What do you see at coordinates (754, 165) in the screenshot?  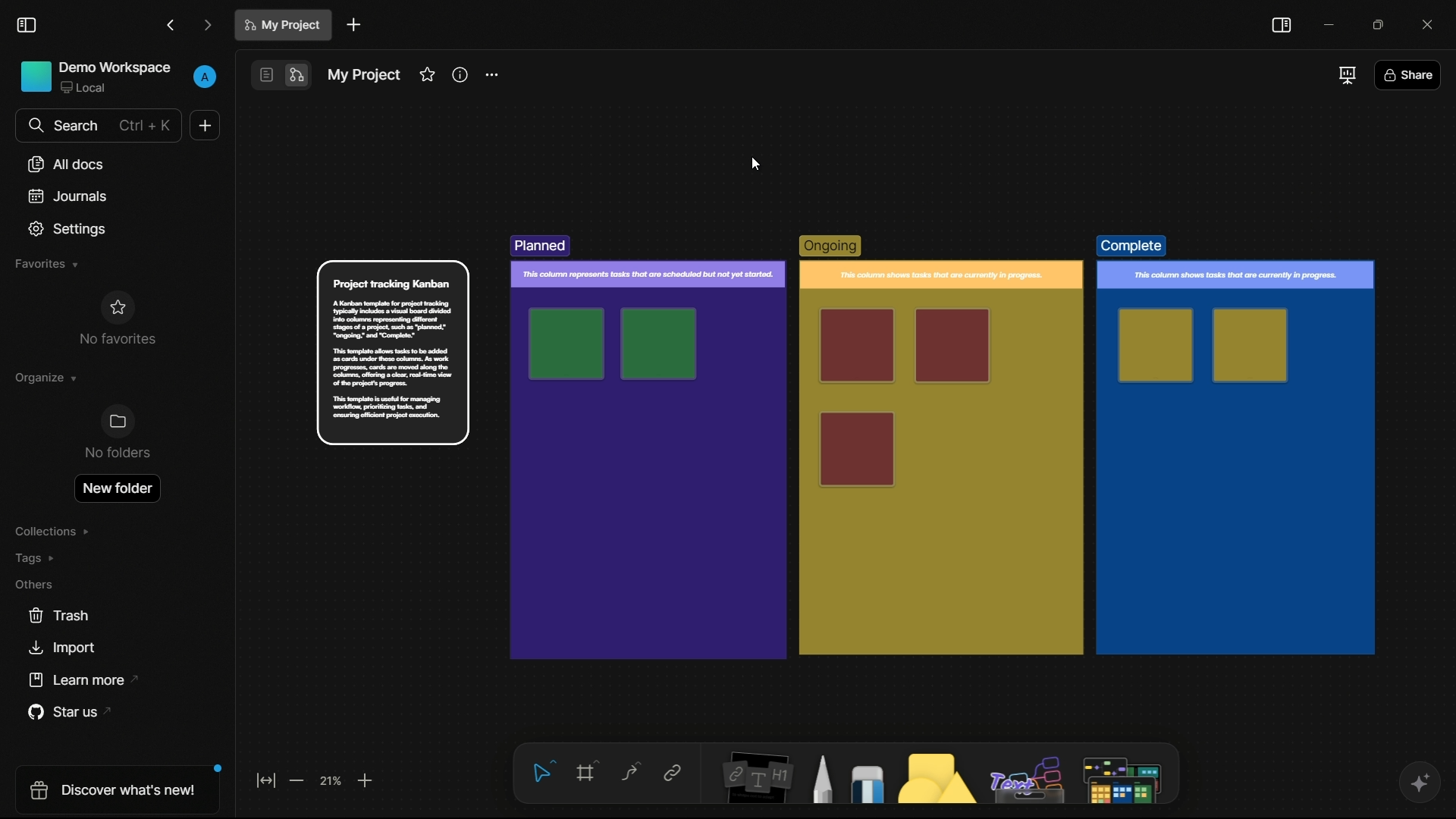 I see `cursor` at bounding box center [754, 165].